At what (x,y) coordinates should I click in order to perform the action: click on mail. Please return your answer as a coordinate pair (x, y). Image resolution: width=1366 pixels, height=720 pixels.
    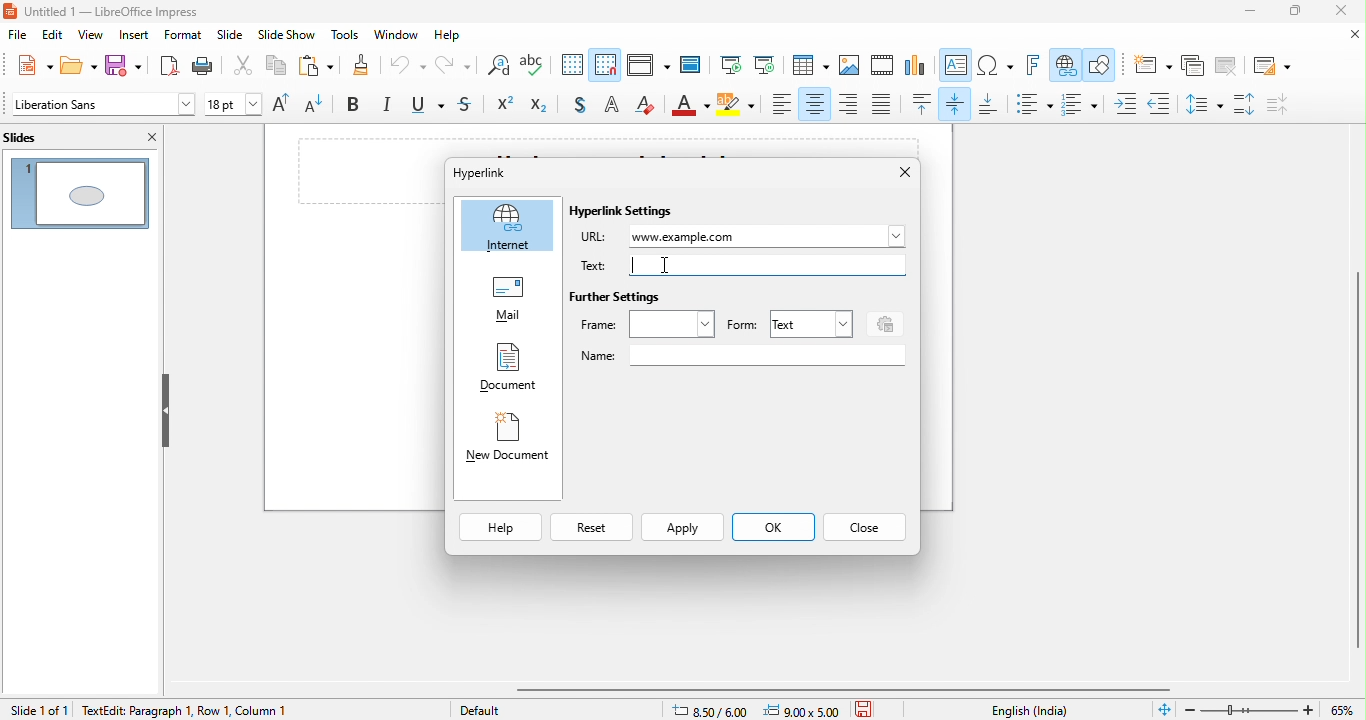
    Looking at the image, I should click on (508, 302).